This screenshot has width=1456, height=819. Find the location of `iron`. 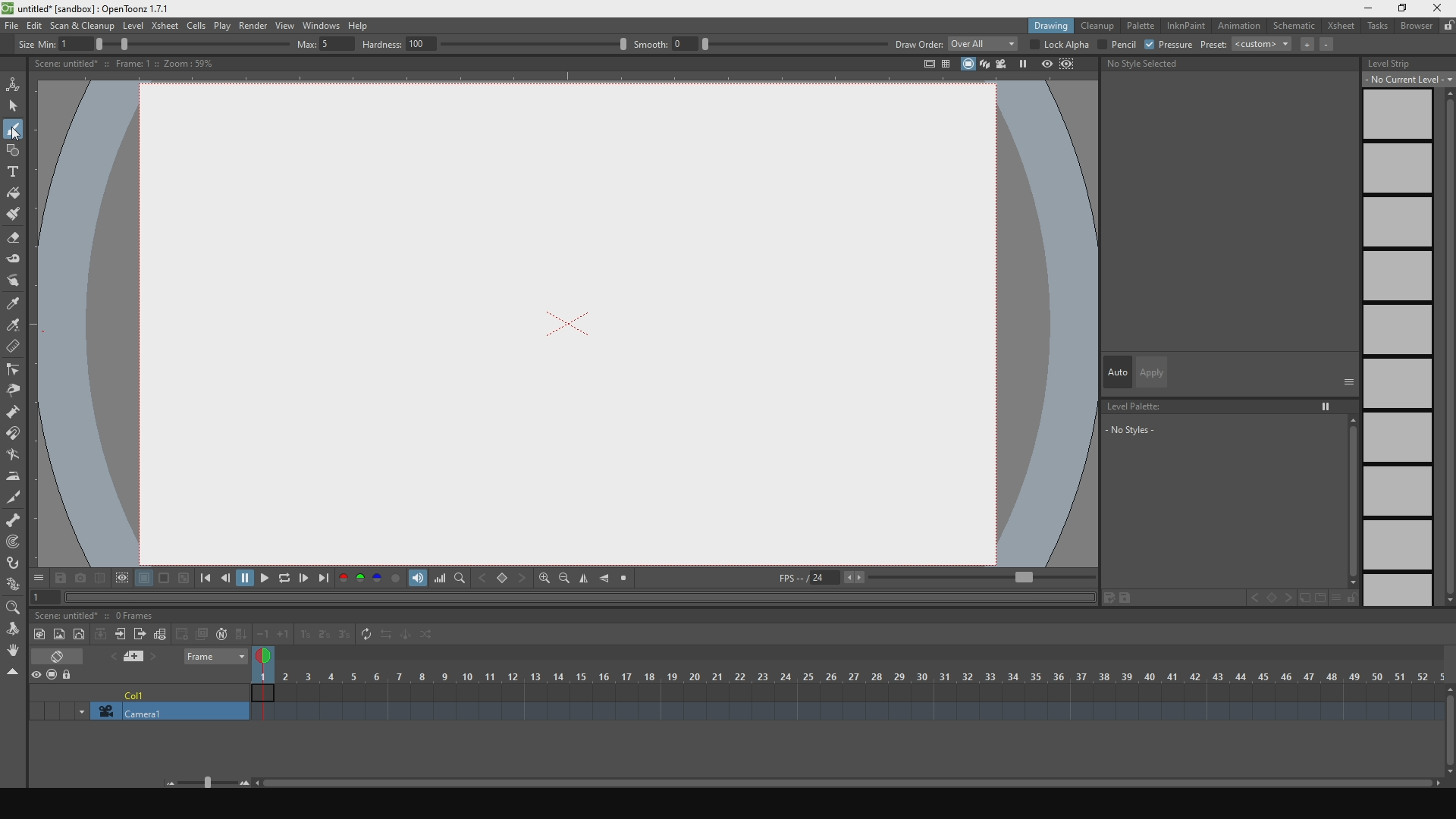

iron is located at coordinates (14, 476).